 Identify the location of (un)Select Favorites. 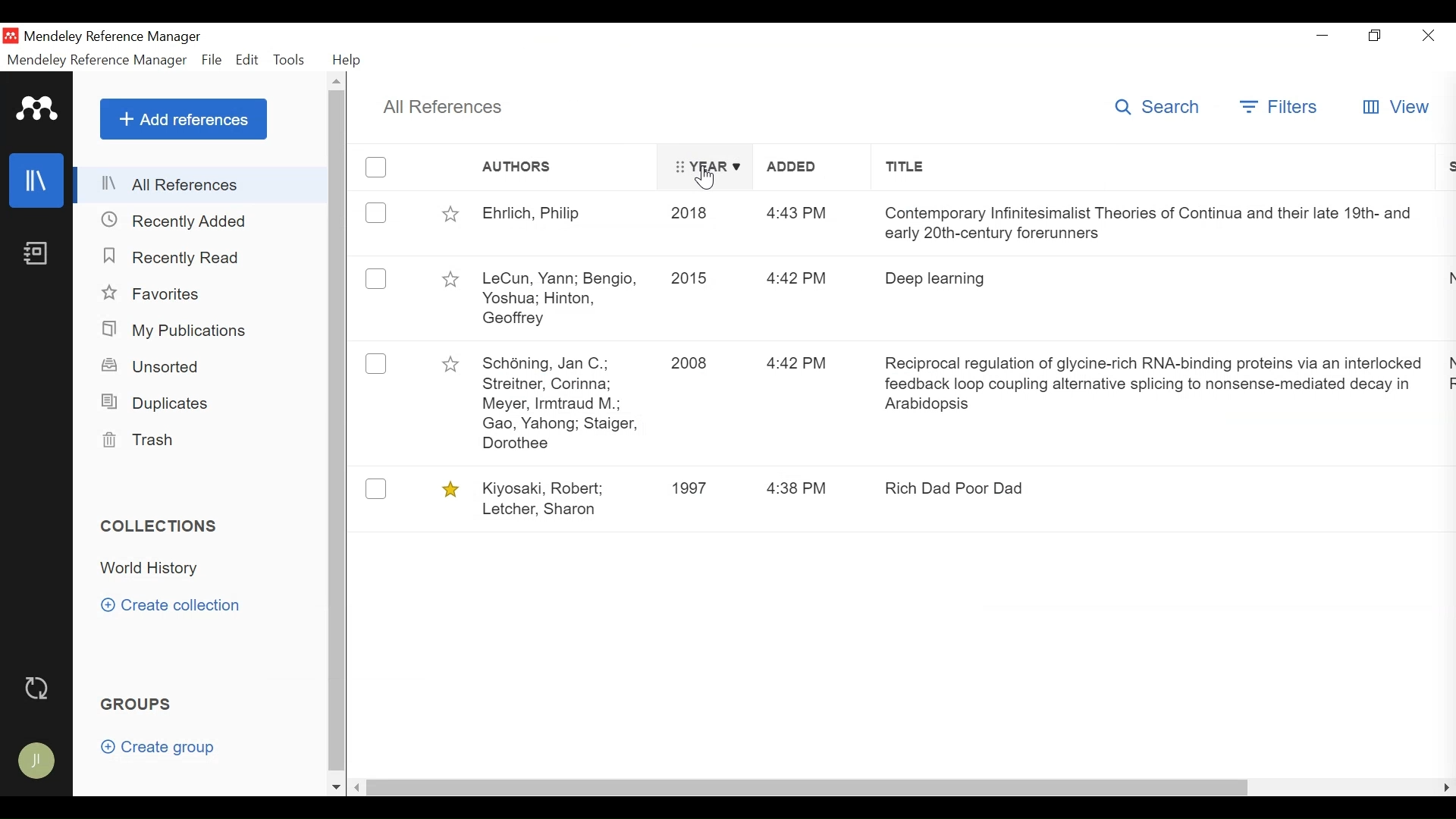
(450, 362).